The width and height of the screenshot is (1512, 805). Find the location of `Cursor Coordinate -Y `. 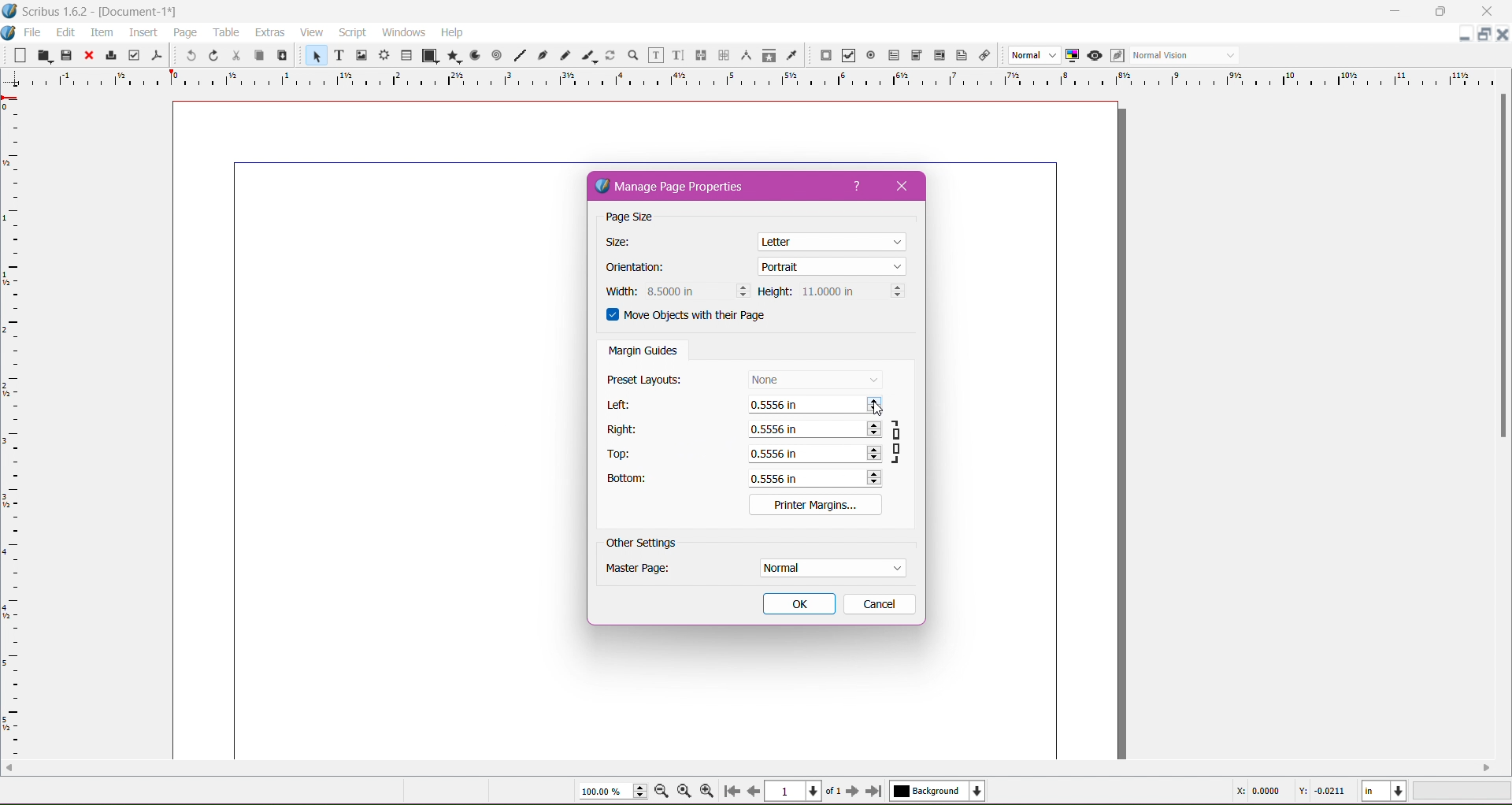

Cursor Coordinate -Y  is located at coordinates (1320, 792).